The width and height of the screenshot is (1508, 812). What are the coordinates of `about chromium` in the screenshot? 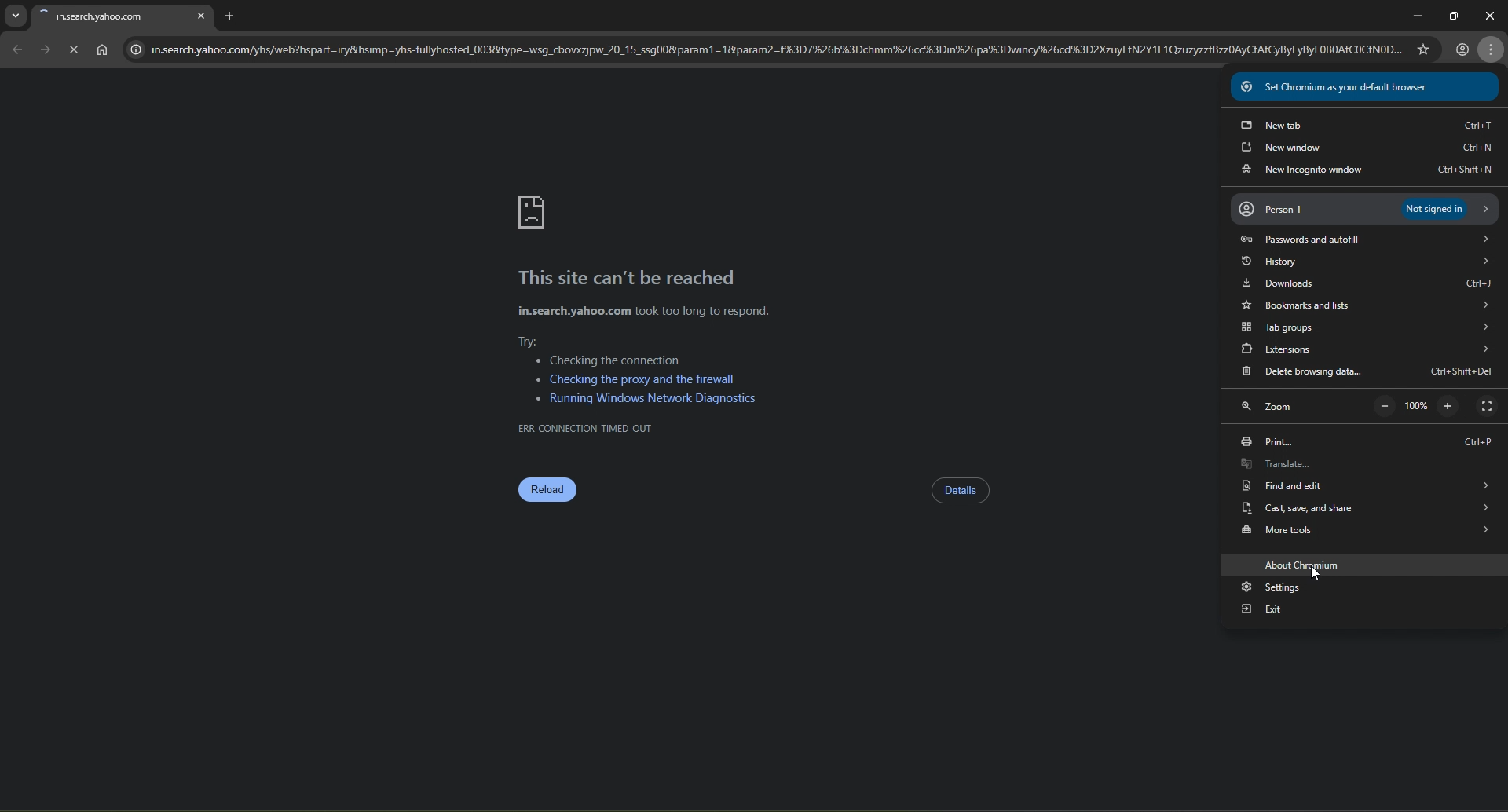 It's located at (1365, 564).